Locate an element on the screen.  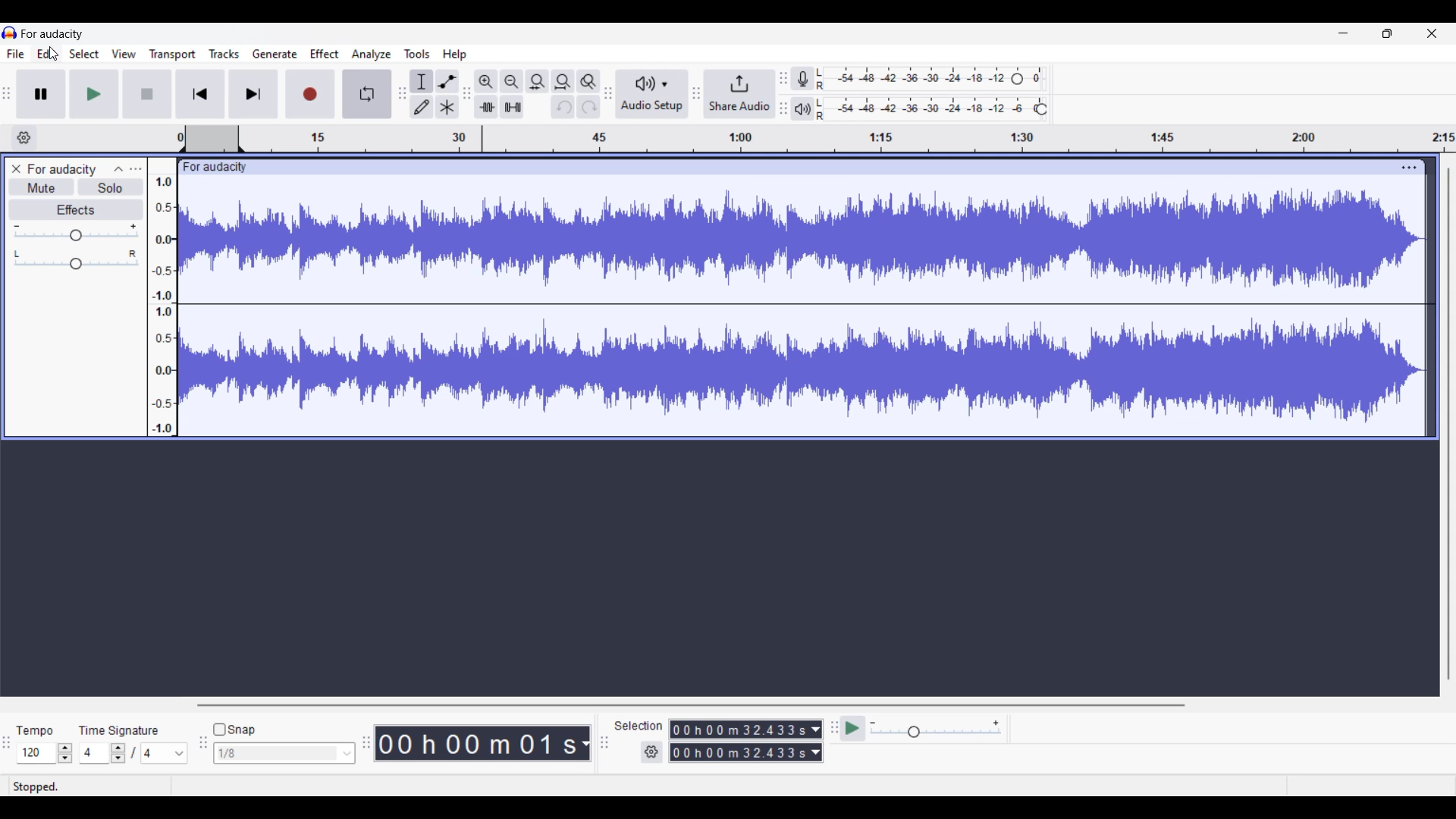
Header to change playback level is located at coordinates (1042, 109).